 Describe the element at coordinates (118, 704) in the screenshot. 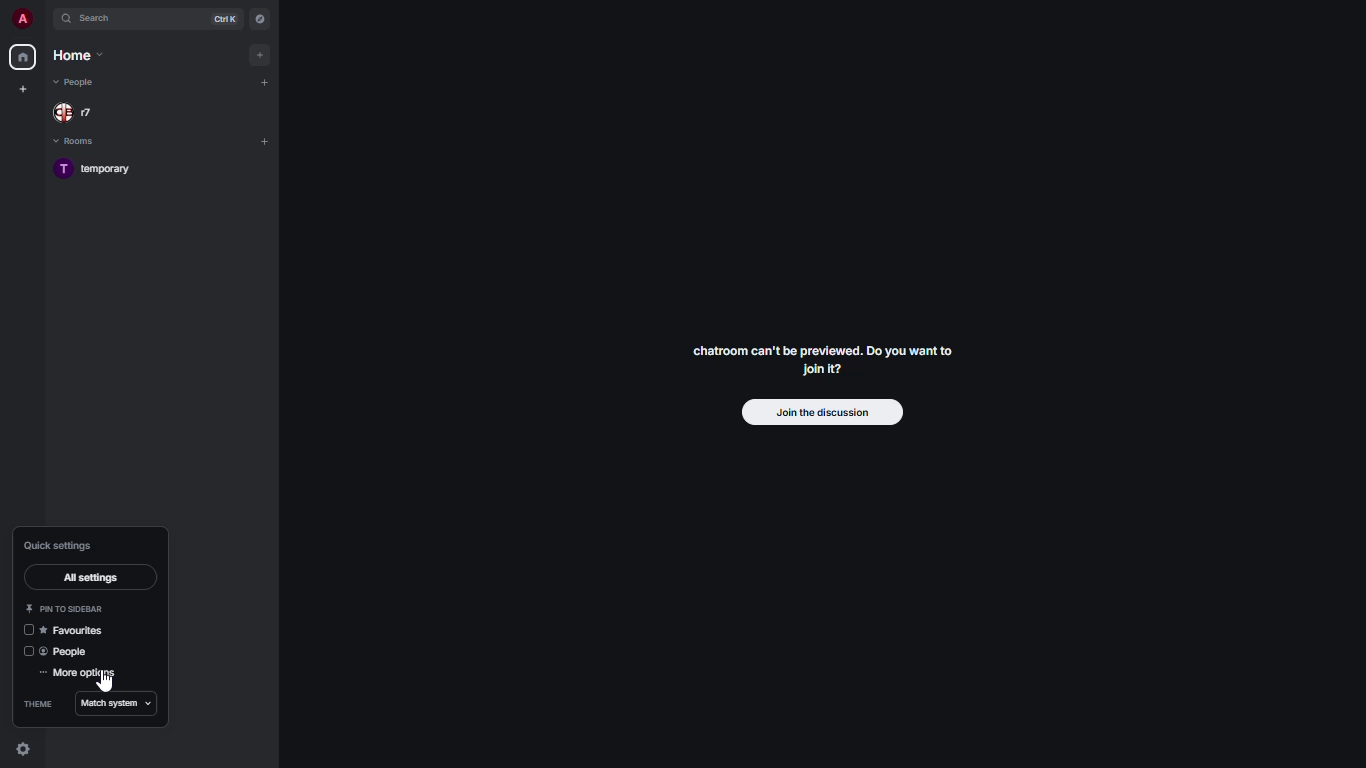

I see `match system` at that location.